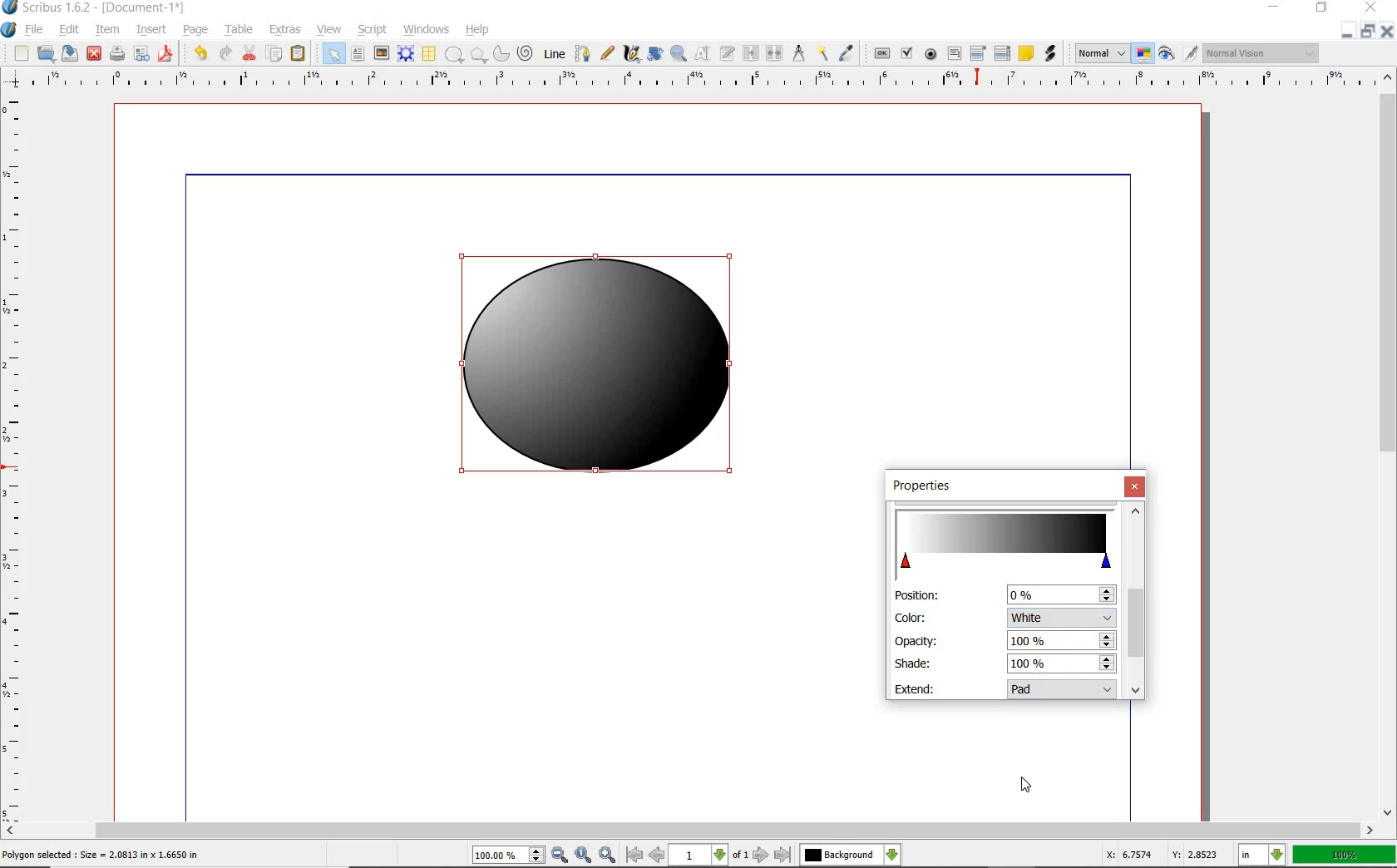 The height and width of the screenshot is (868, 1397). I want to click on TEXT FRAME, so click(358, 53).